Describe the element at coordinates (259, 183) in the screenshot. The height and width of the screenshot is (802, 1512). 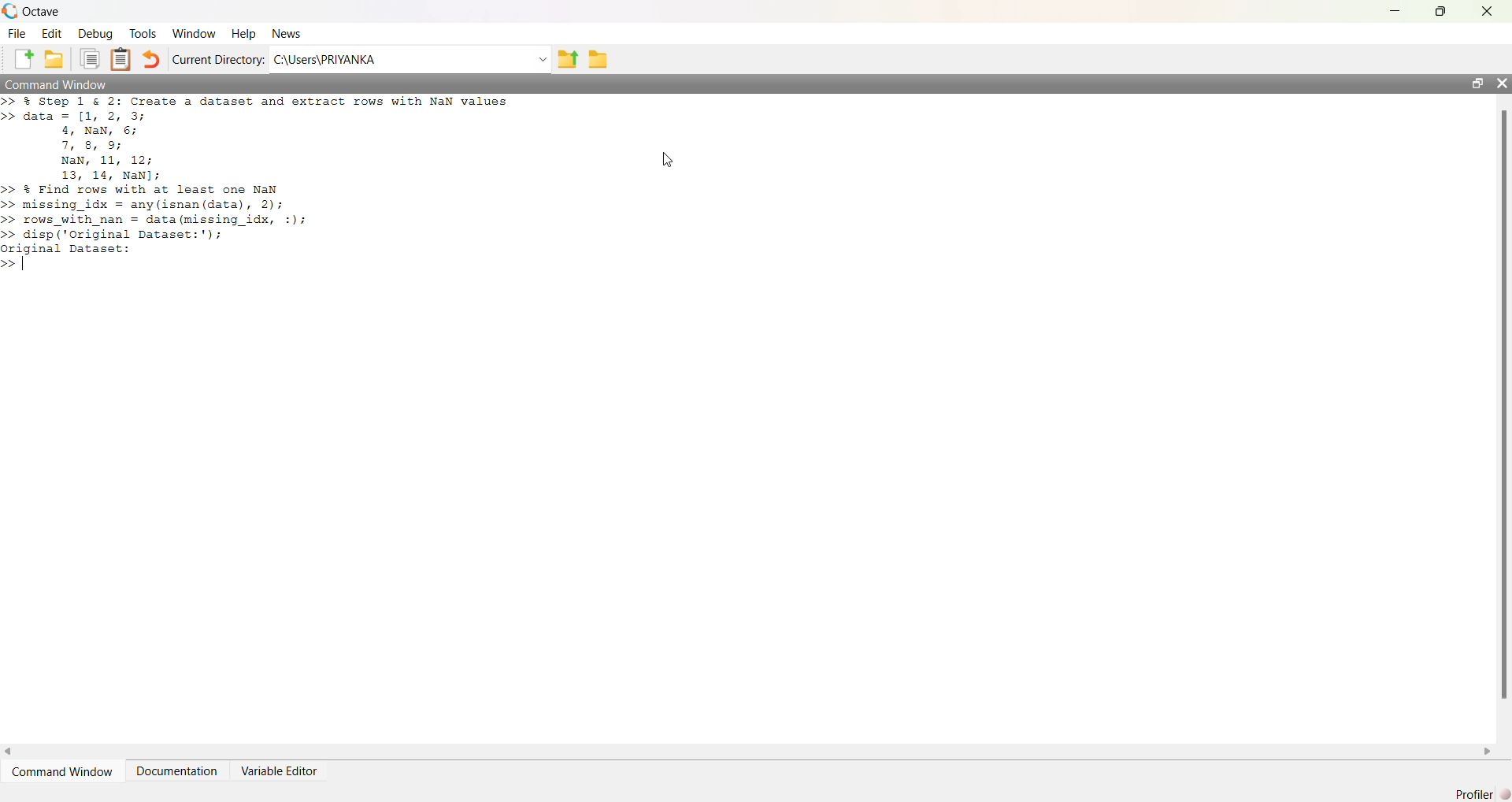
I see `>> % Step 1 & 2: Create a dataset and extract rows with NaN values>> data = [1, 2, 3;4, NaN, 6;7, 8, 9;NaN, 11, 12;13, 14, NaN];>> & Find rows with at least one NaN>> missing_idx = any(isnan (data), 2);>> rows_with_nan = data (missing_idx, :);>> disp ('Original Dataset:');original Dataset:` at that location.